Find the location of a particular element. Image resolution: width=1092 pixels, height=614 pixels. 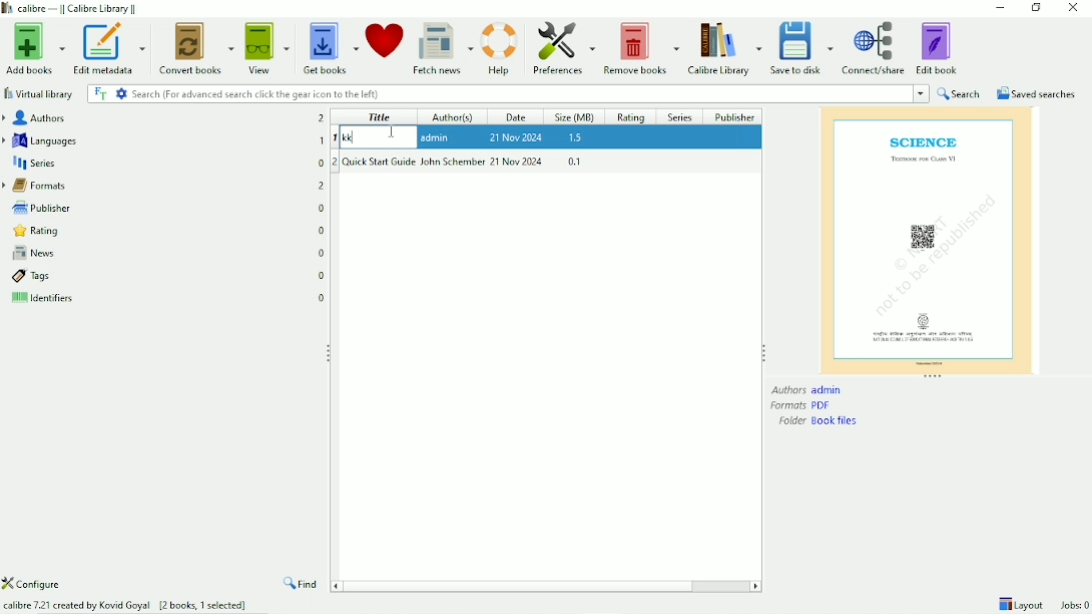

Title is located at coordinates (379, 117).